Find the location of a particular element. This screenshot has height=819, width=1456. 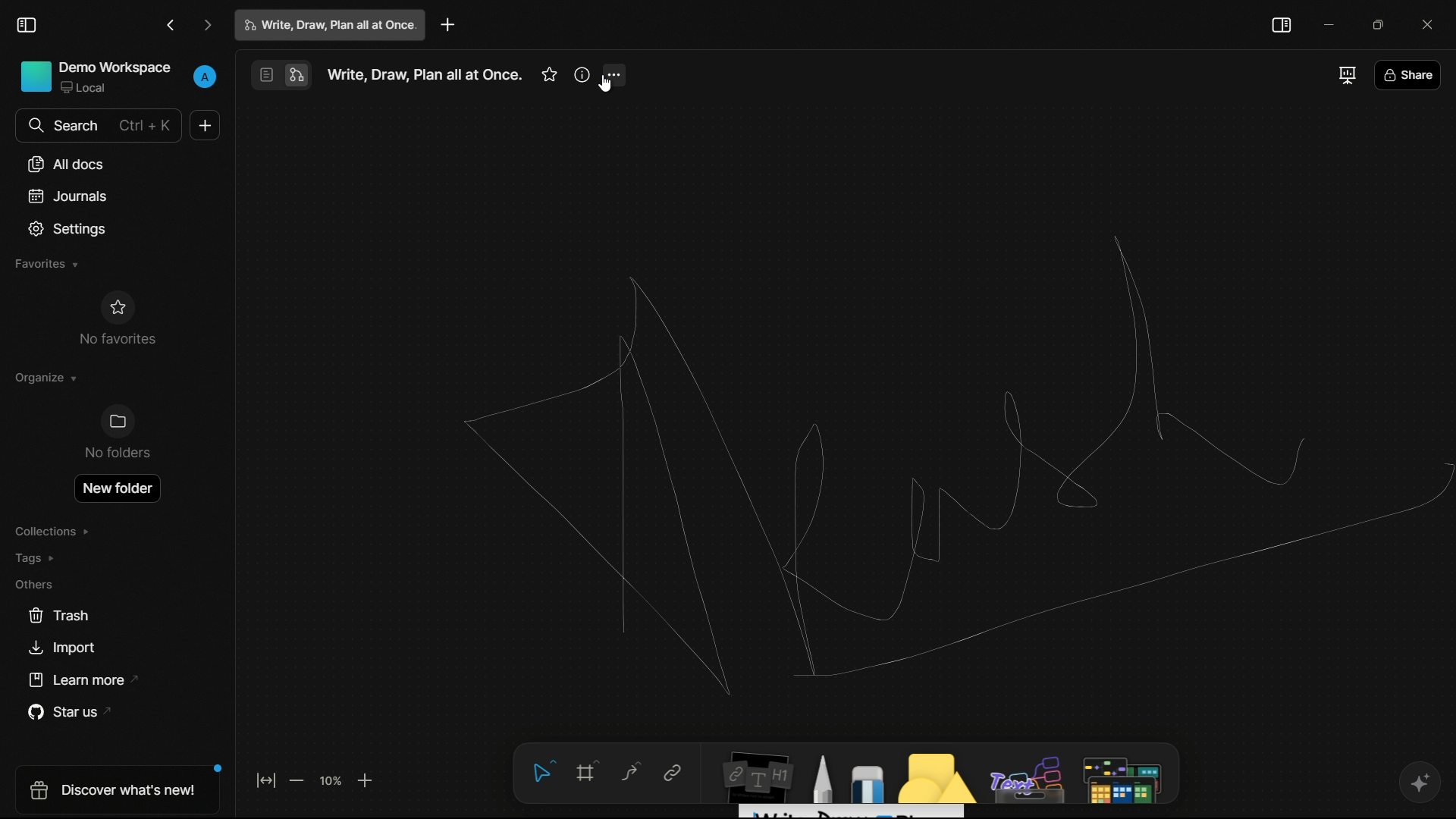

zoom factor is located at coordinates (331, 780).